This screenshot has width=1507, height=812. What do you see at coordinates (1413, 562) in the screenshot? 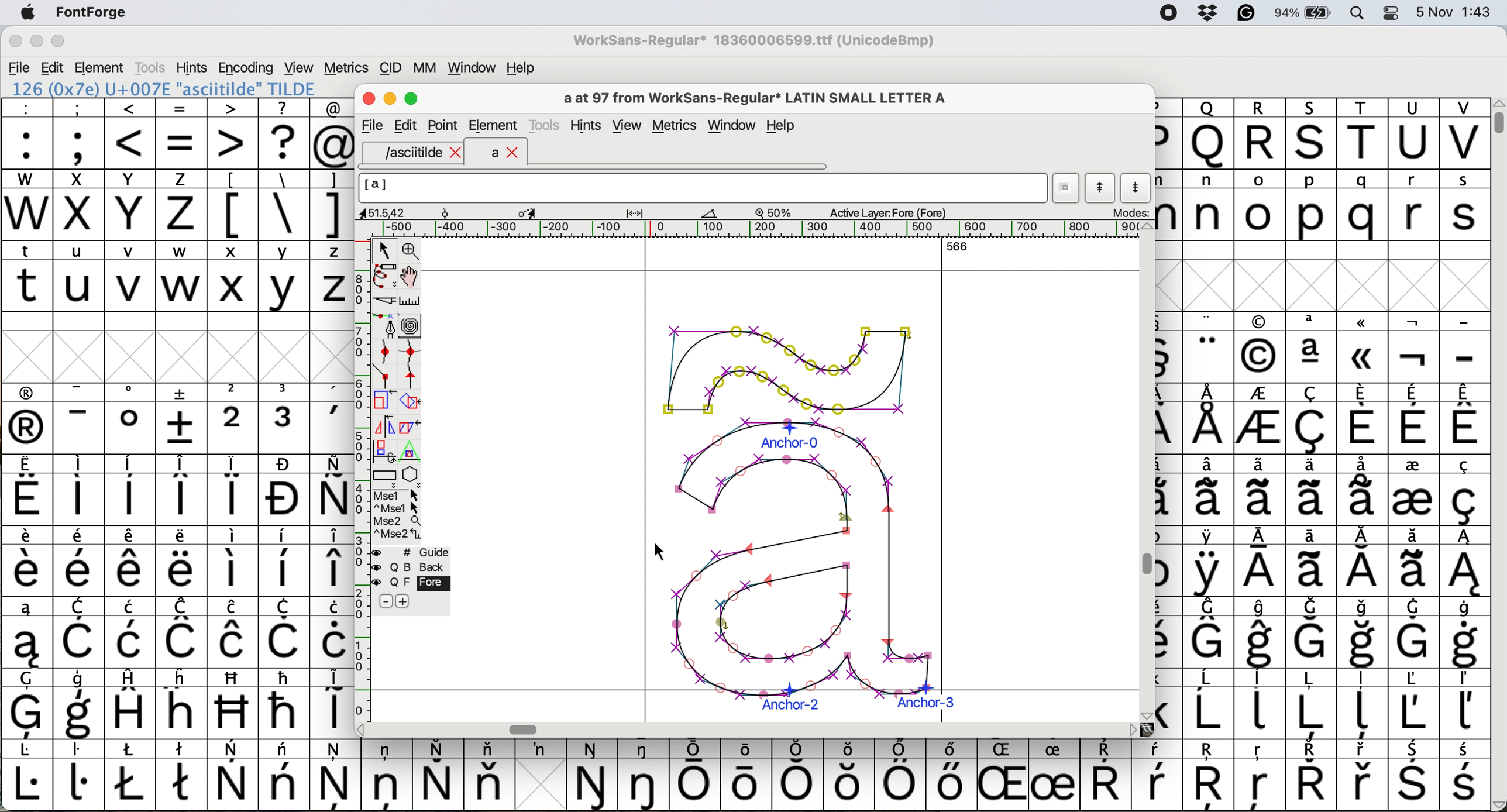
I see `symbol` at bounding box center [1413, 562].